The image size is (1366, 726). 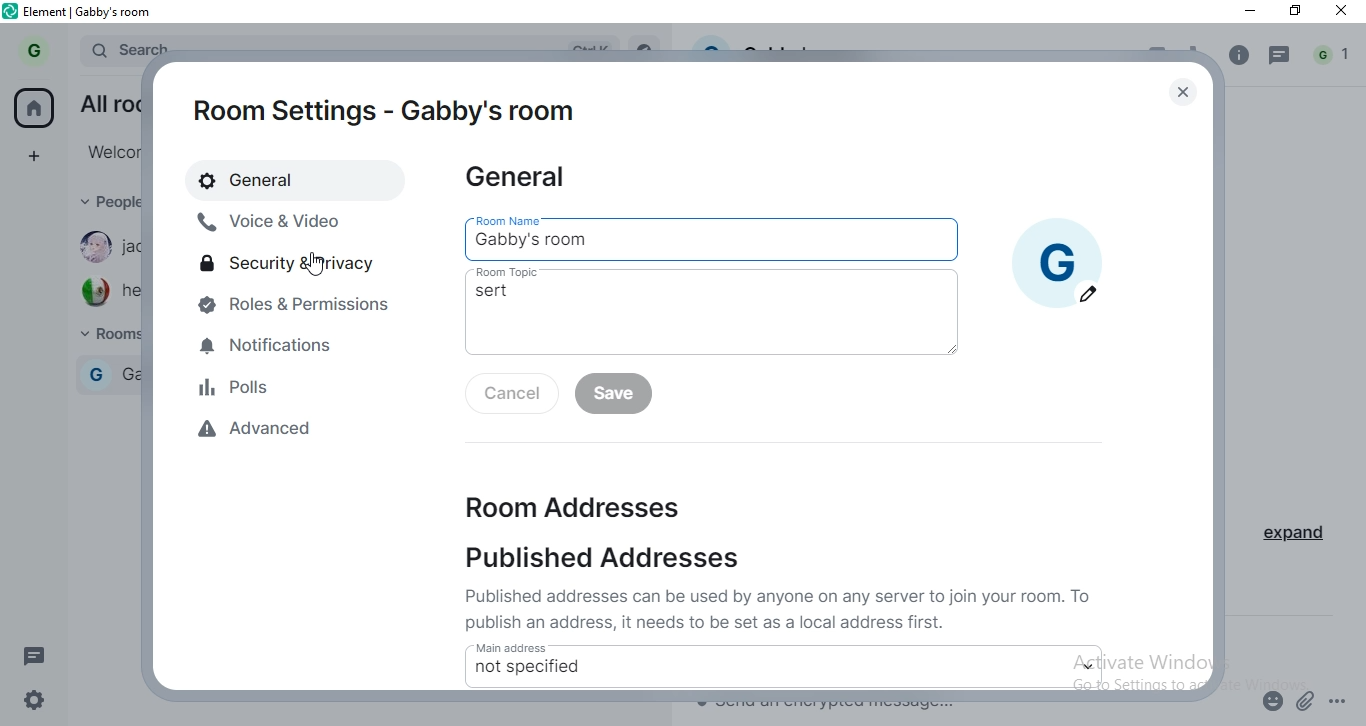 What do you see at coordinates (111, 151) in the screenshot?
I see `welcome` at bounding box center [111, 151].